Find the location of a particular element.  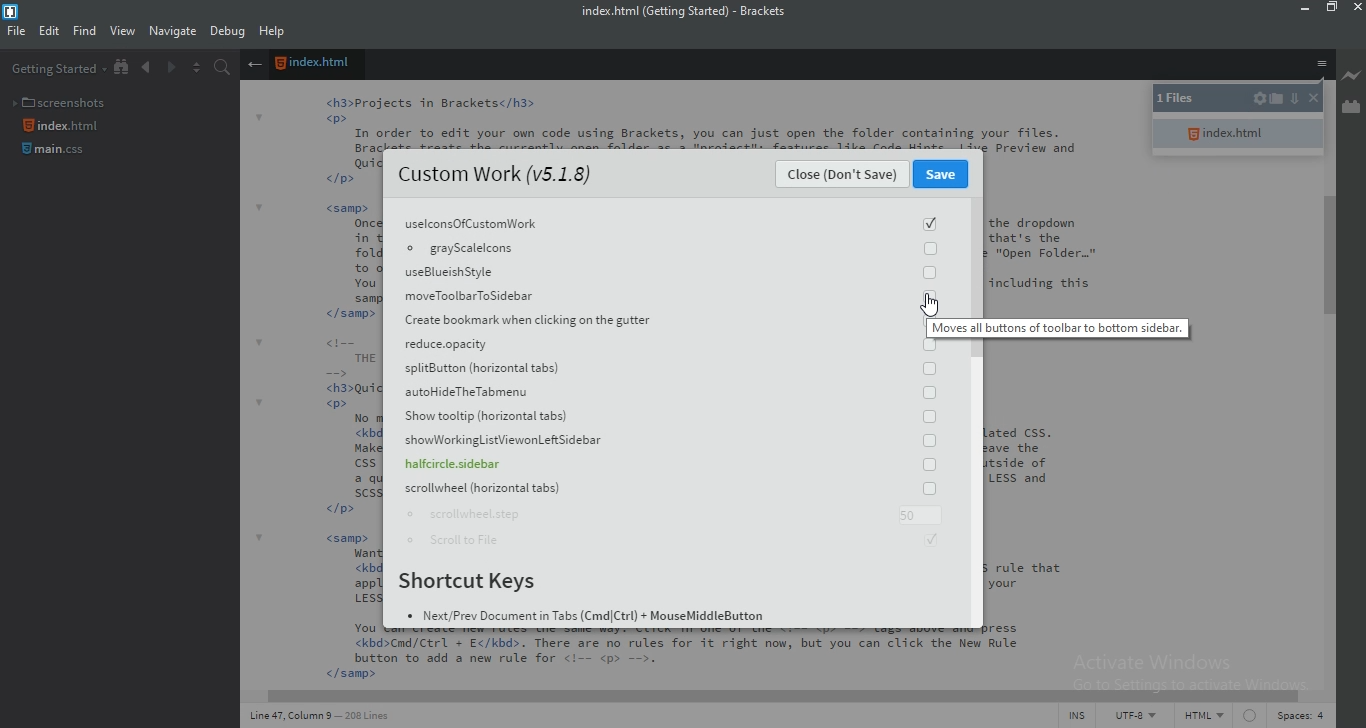

autohideTheTabmenu is located at coordinates (670, 394).